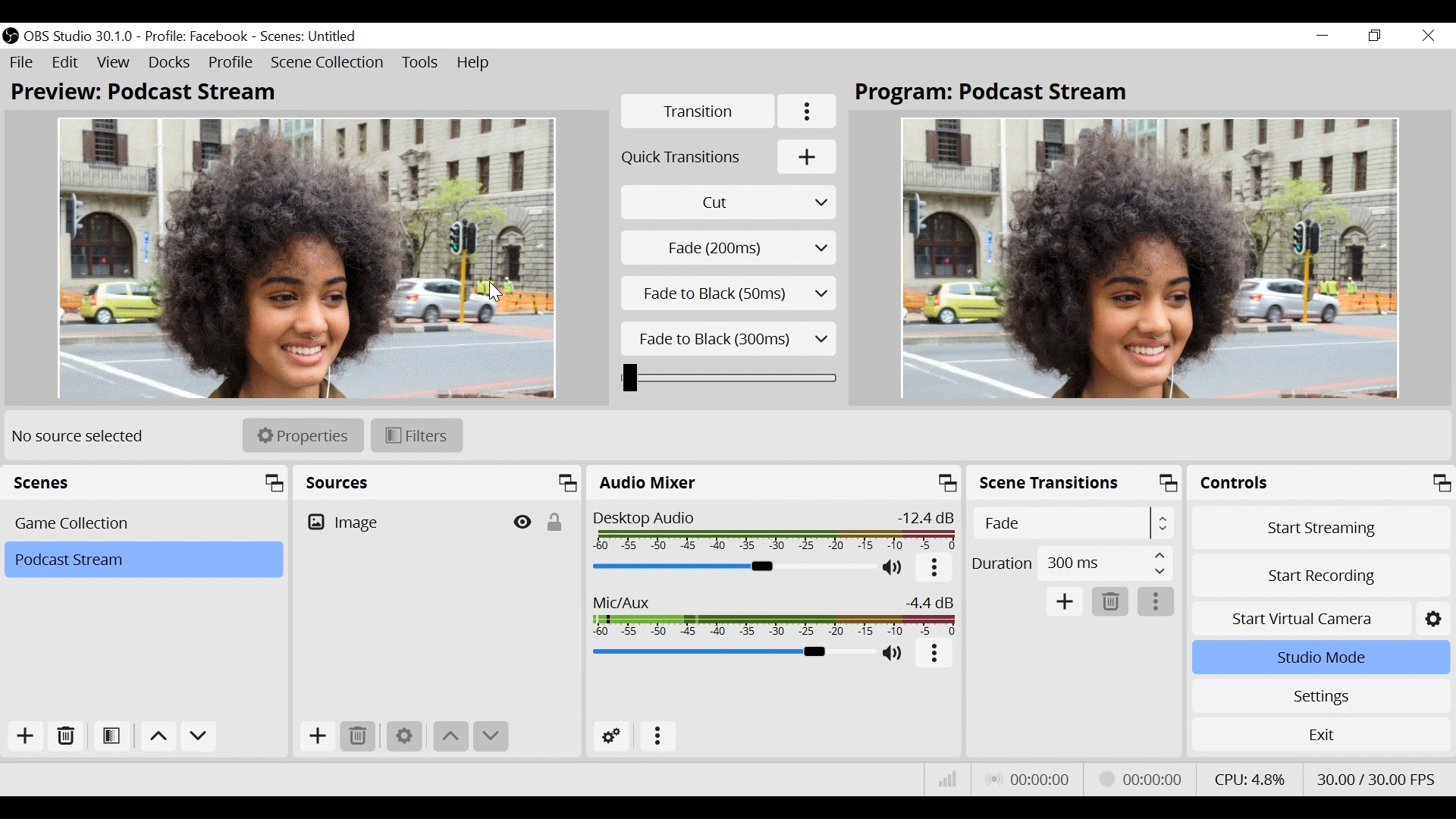  What do you see at coordinates (328, 64) in the screenshot?
I see `Scene Collection` at bounding box center [328, 64].